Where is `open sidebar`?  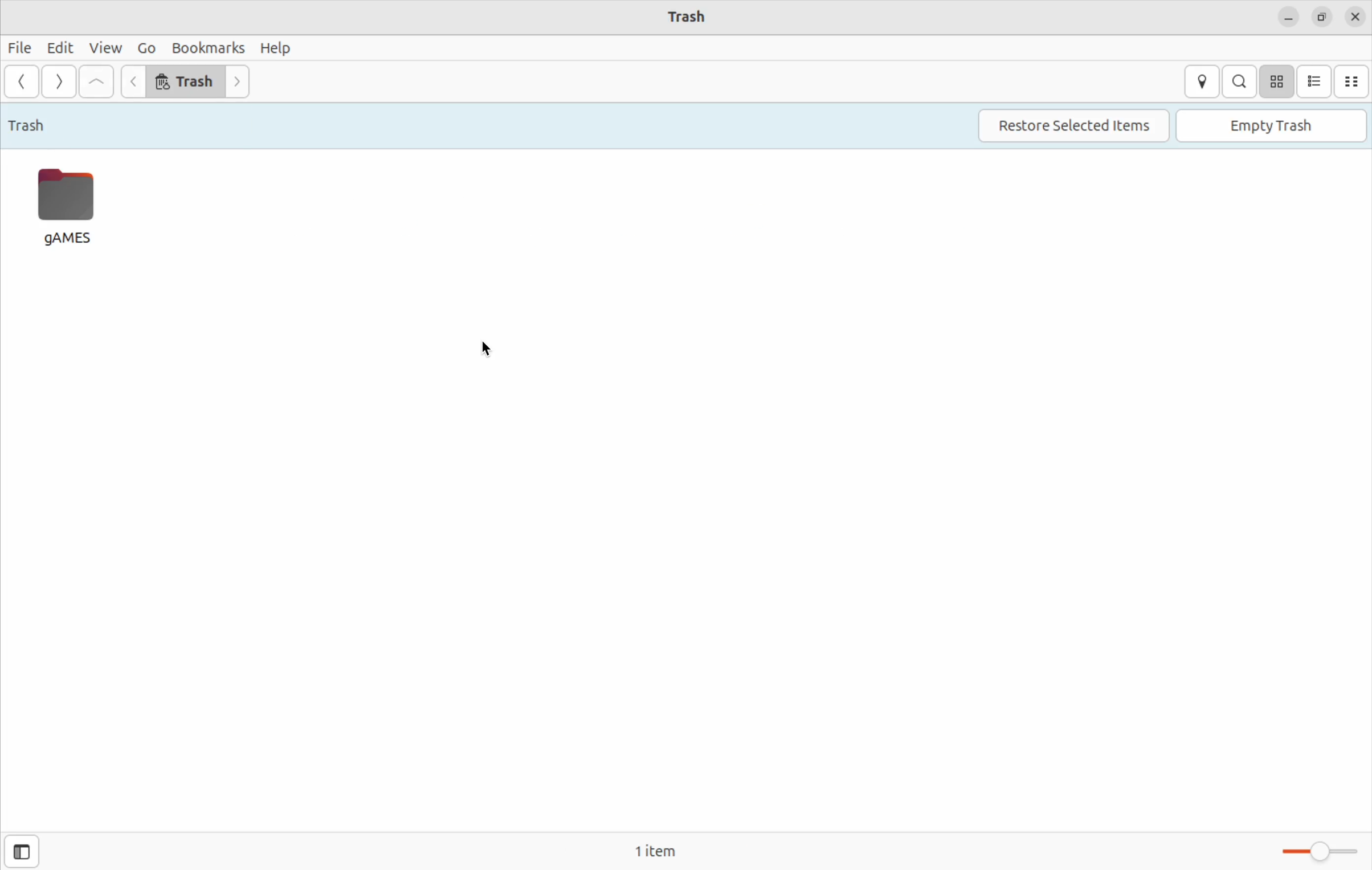 open sidebar is located at coordinates (20, 851).